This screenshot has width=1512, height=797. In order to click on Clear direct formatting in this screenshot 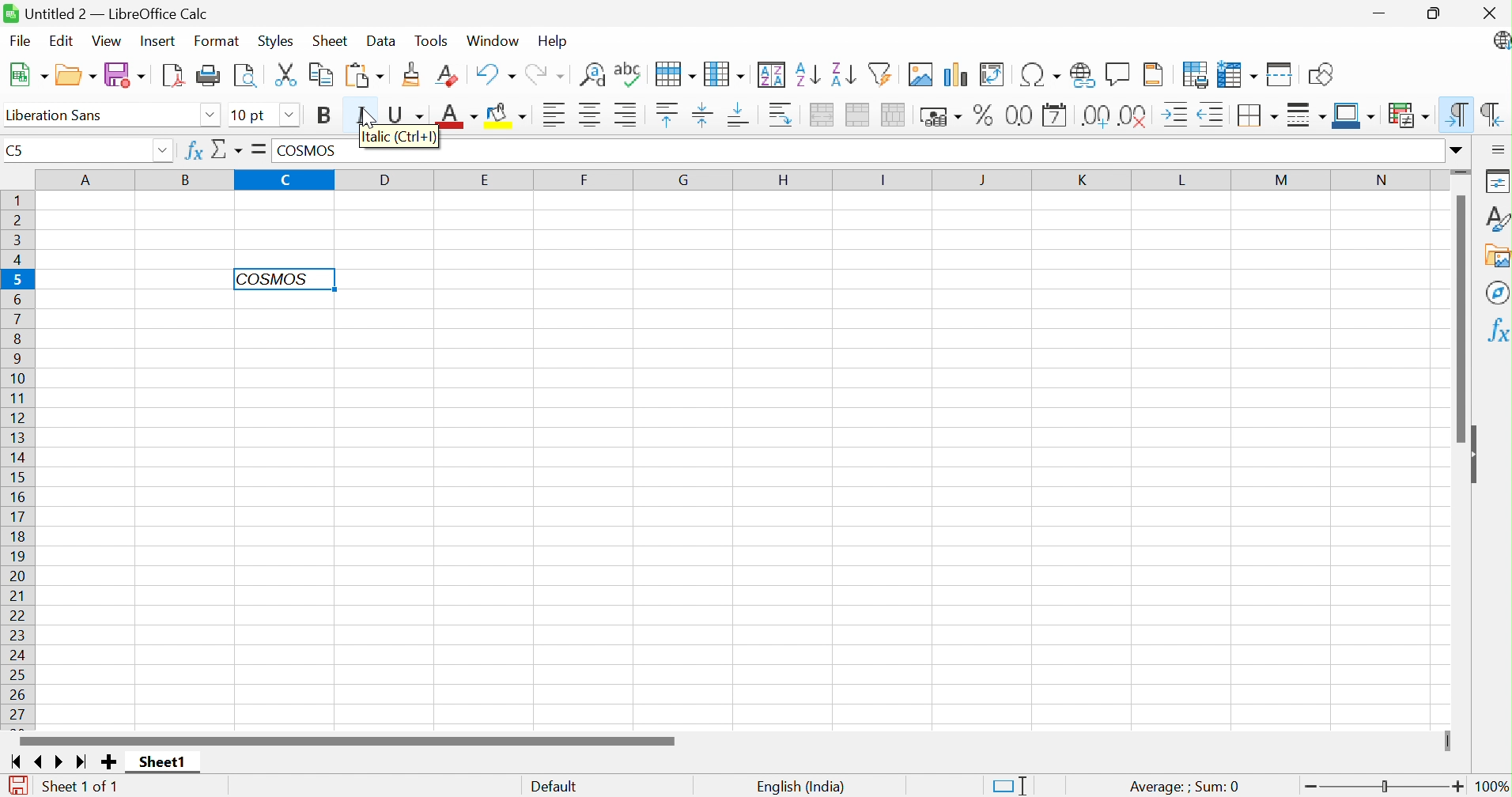, I will do `click(445, 74)`.